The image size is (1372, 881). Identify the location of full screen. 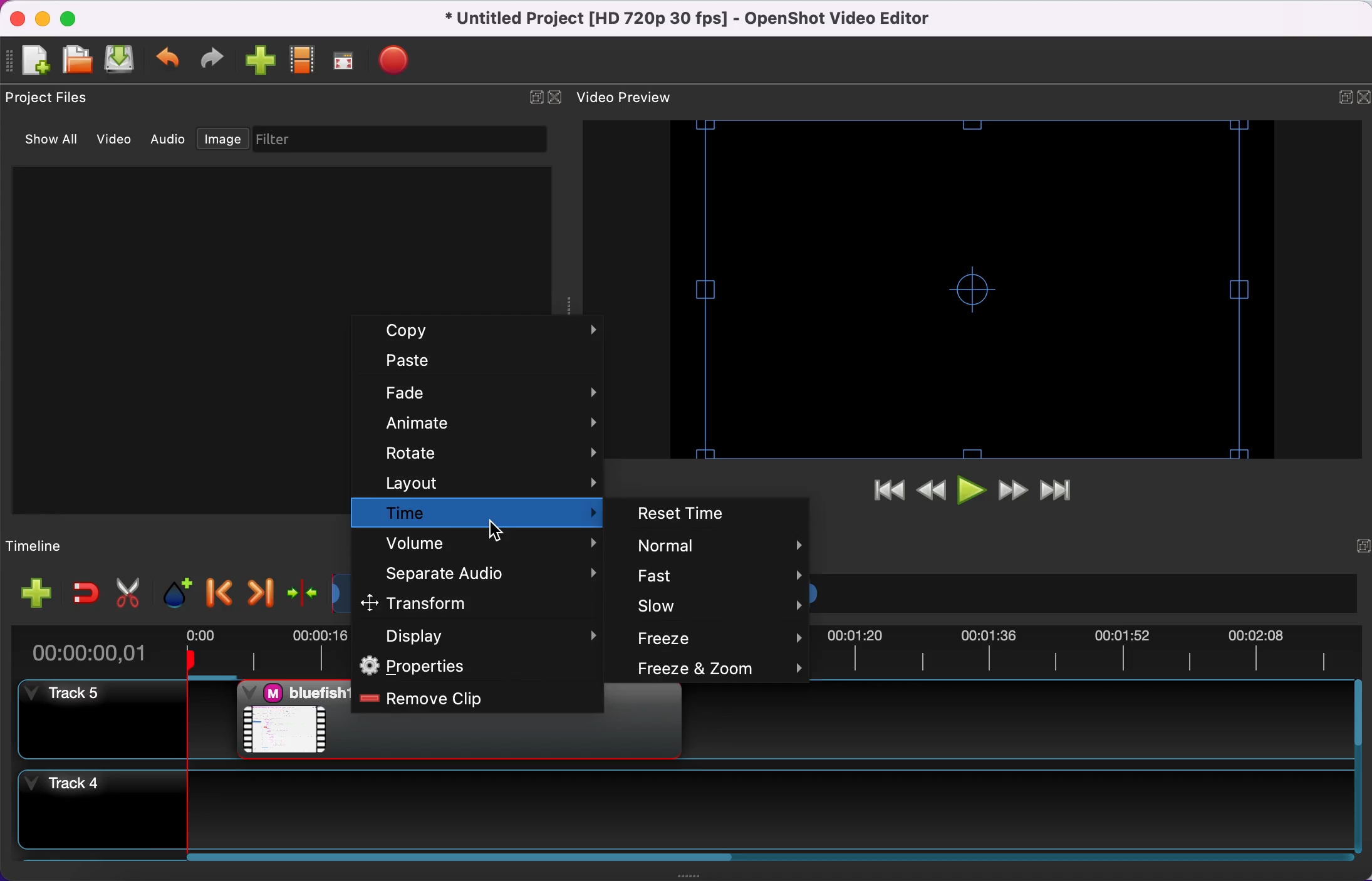
(349, 60).